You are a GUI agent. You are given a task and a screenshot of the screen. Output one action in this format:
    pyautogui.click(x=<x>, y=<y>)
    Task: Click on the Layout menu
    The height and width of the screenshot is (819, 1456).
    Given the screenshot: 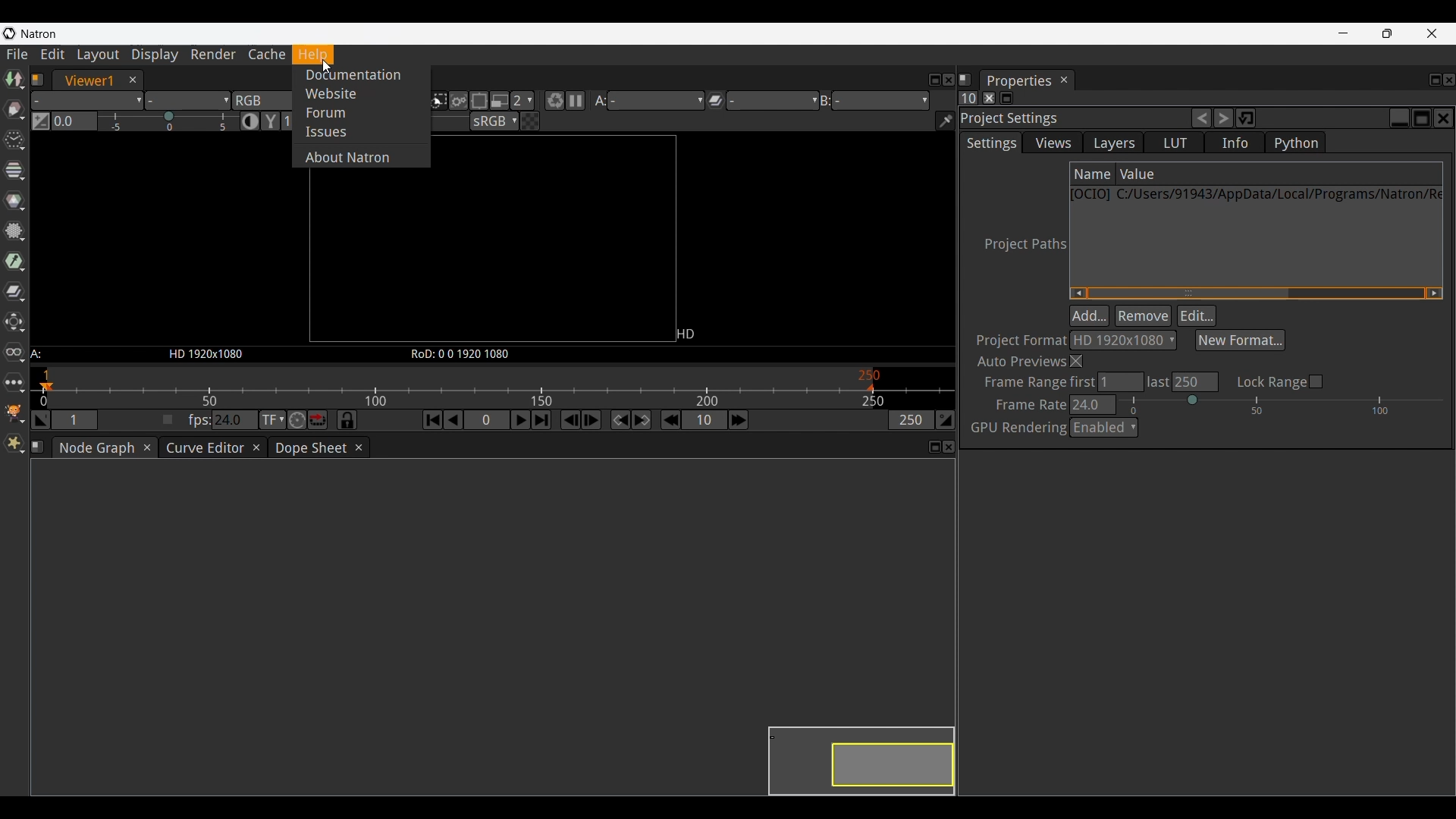 What is the action you would take?
    pyautogui.click(x=98, y=55)
    